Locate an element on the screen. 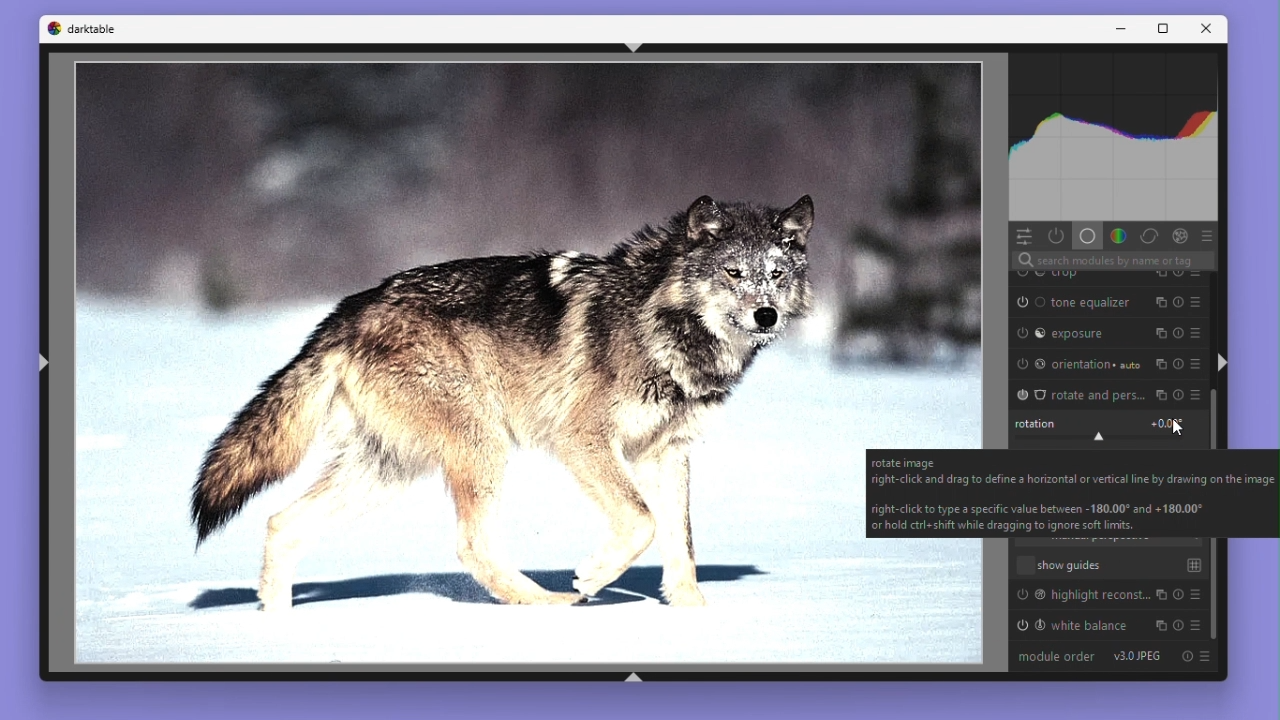 This screenshot has height=720, width=1280. Correct is located at coordinates (1152, 235).